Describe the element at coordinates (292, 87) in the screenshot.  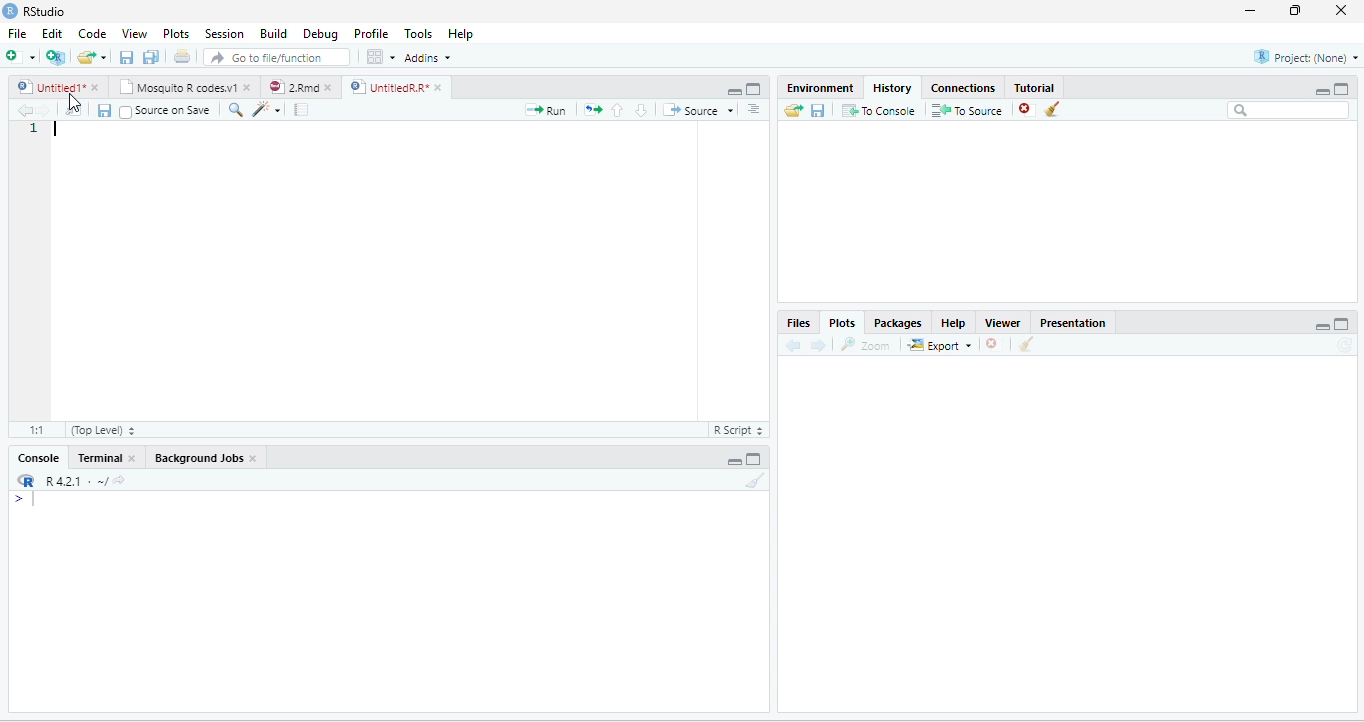
I see `2.Rmd` at that location.